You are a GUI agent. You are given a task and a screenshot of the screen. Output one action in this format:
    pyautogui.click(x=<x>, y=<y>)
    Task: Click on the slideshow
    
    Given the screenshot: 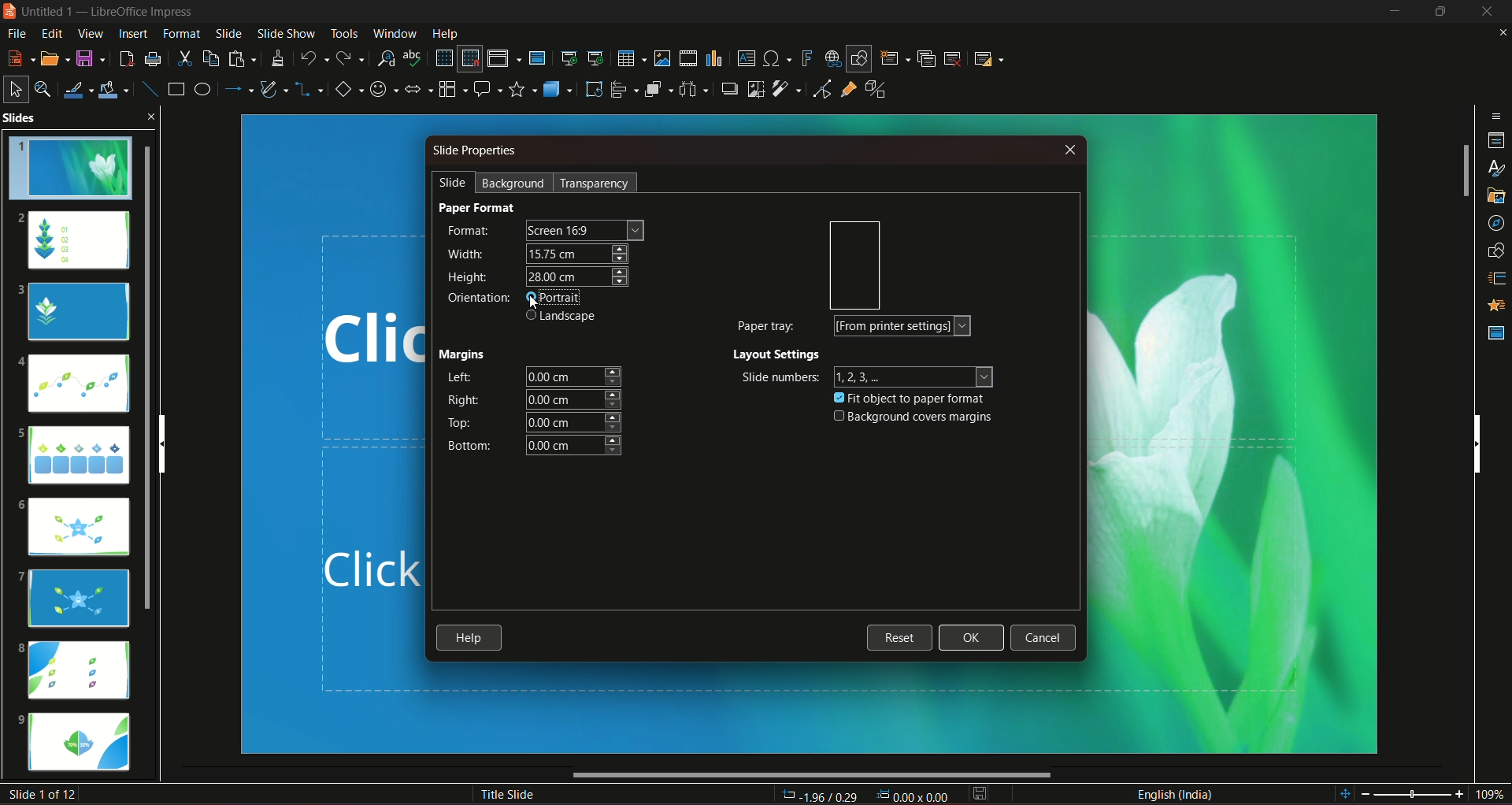 What is the action you would take?
    pyautogui.click(x=284, y=32)
    